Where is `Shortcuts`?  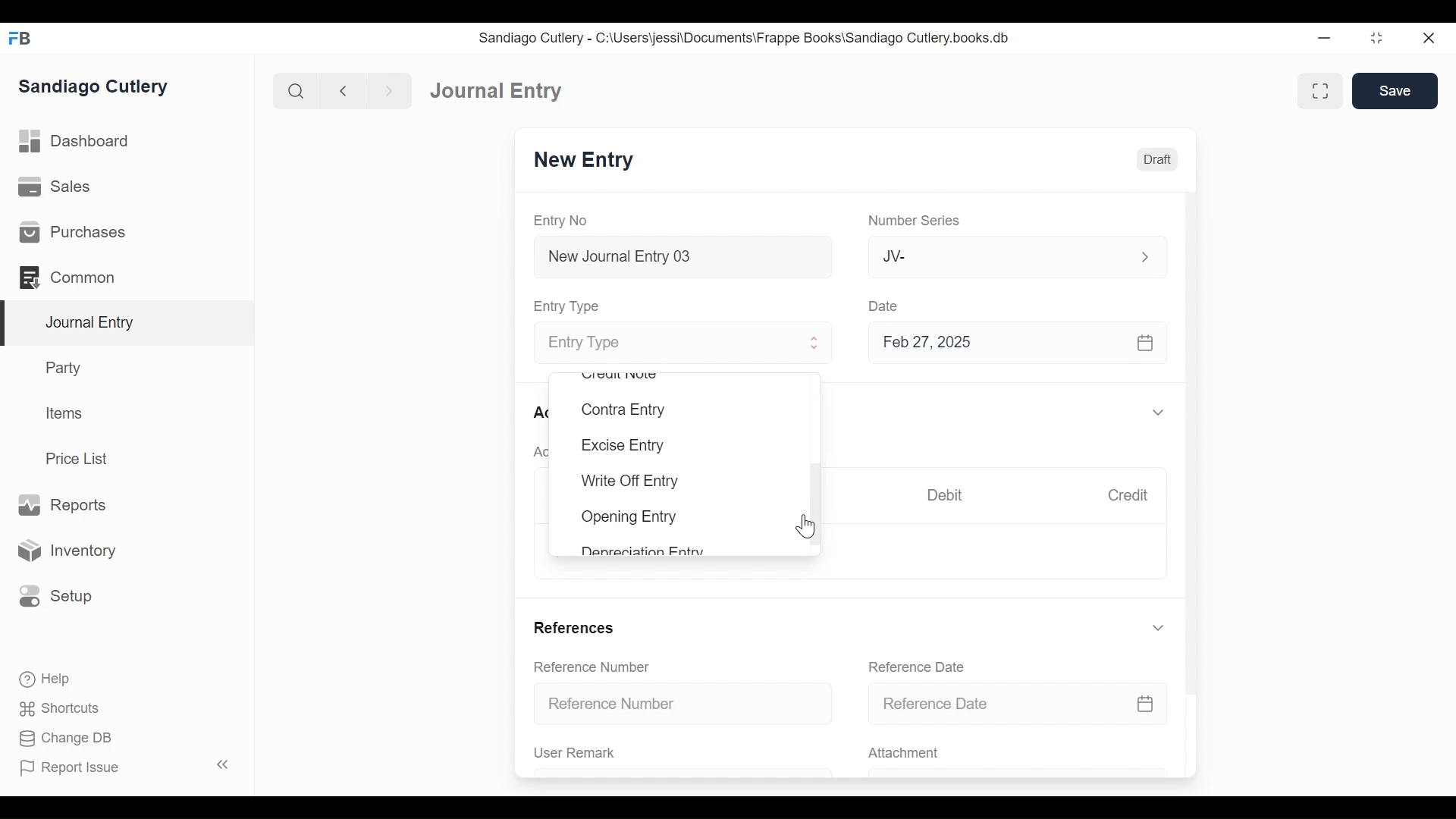 Shortcuts is located at coordinates (61, 711).